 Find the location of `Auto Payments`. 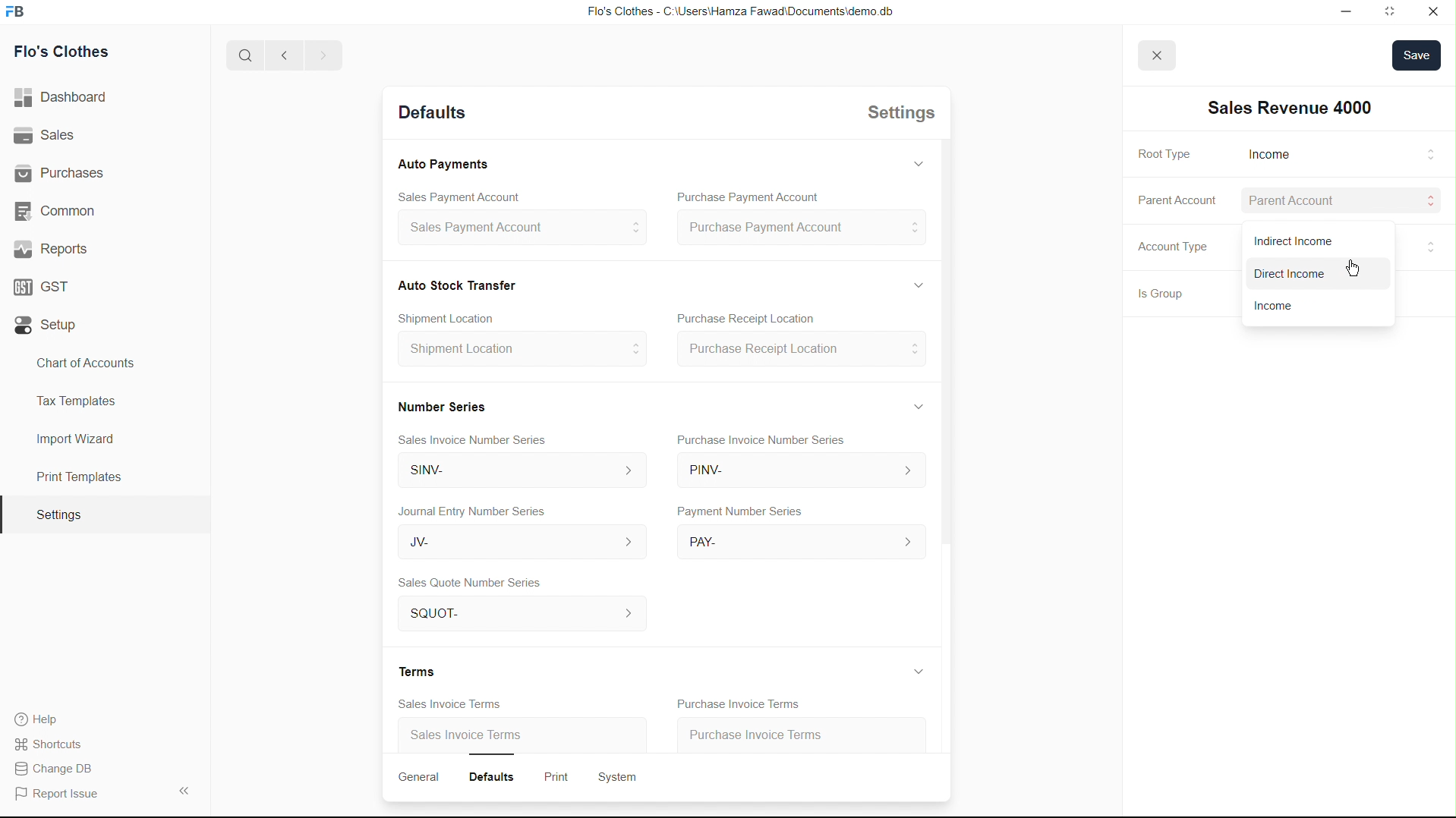

Auto Payments is located at coordinates (443, 165).